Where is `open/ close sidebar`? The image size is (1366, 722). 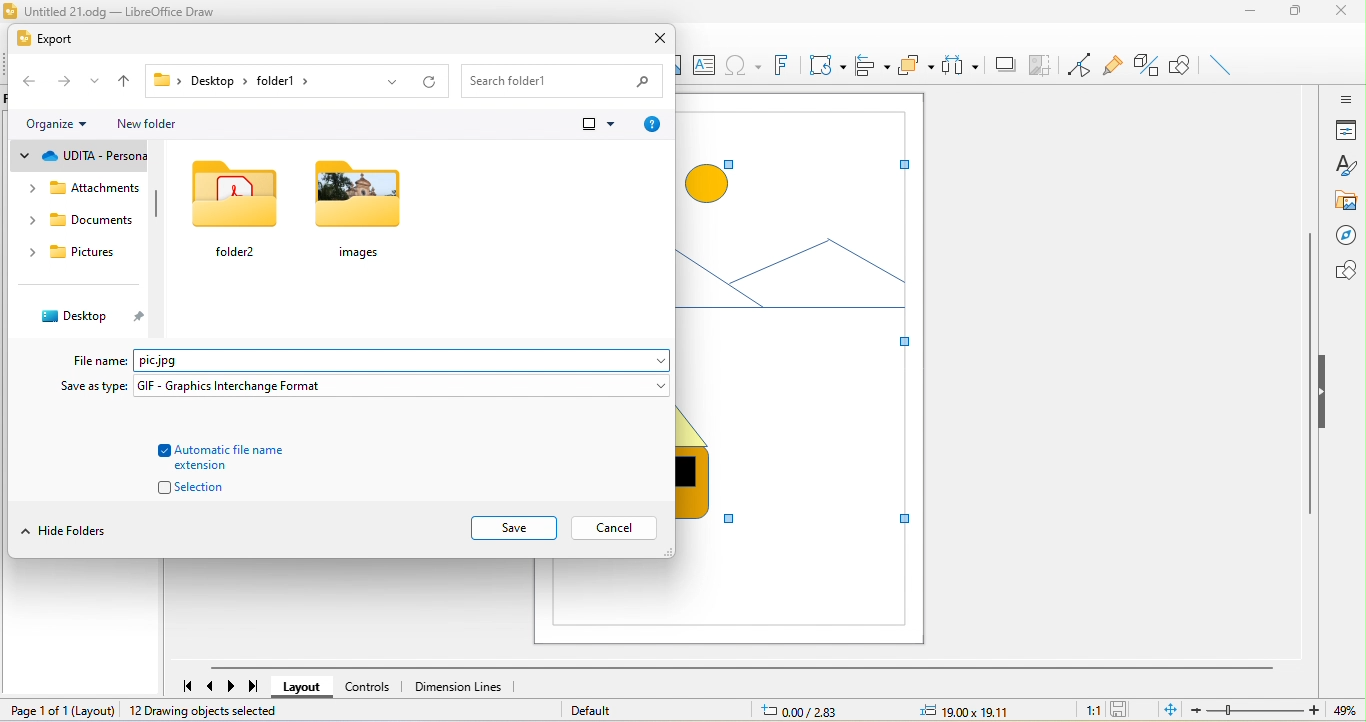
open/ close sidebar is located at coordinates (1344, 98).